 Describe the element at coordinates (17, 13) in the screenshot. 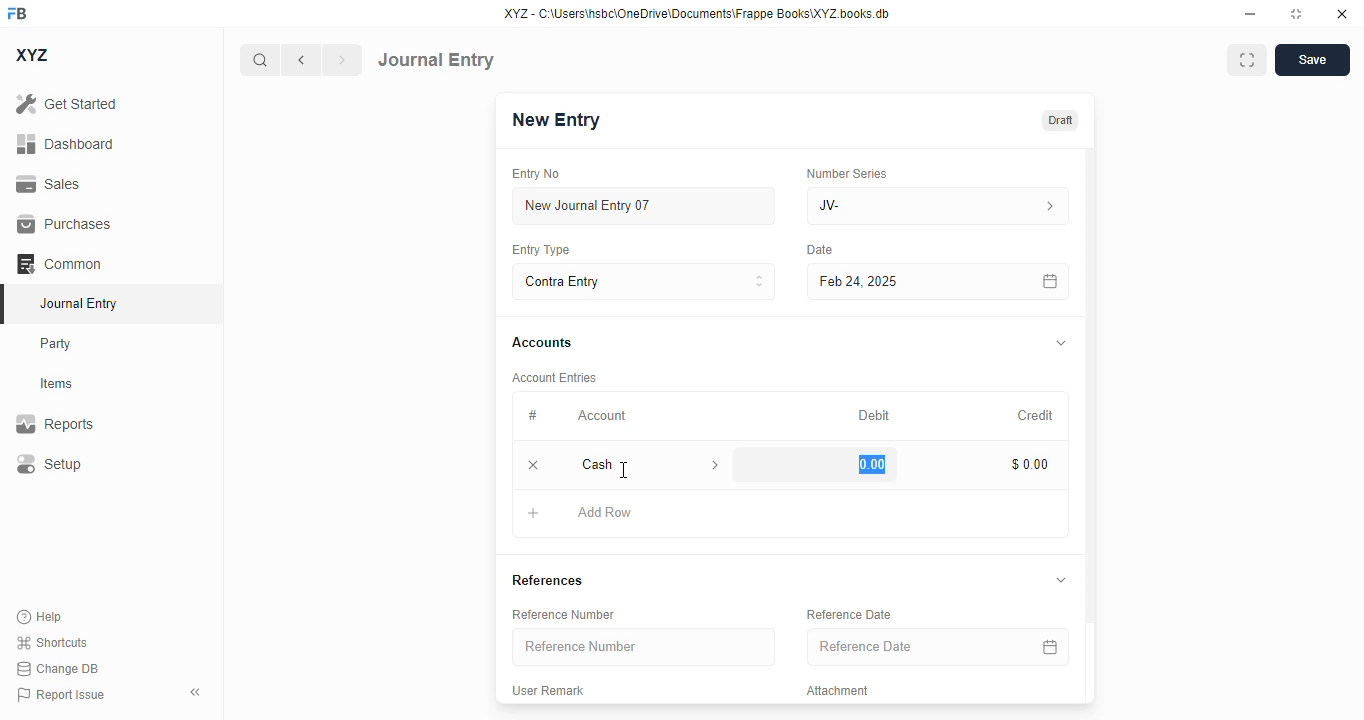

I see `FB - logo` at that location.